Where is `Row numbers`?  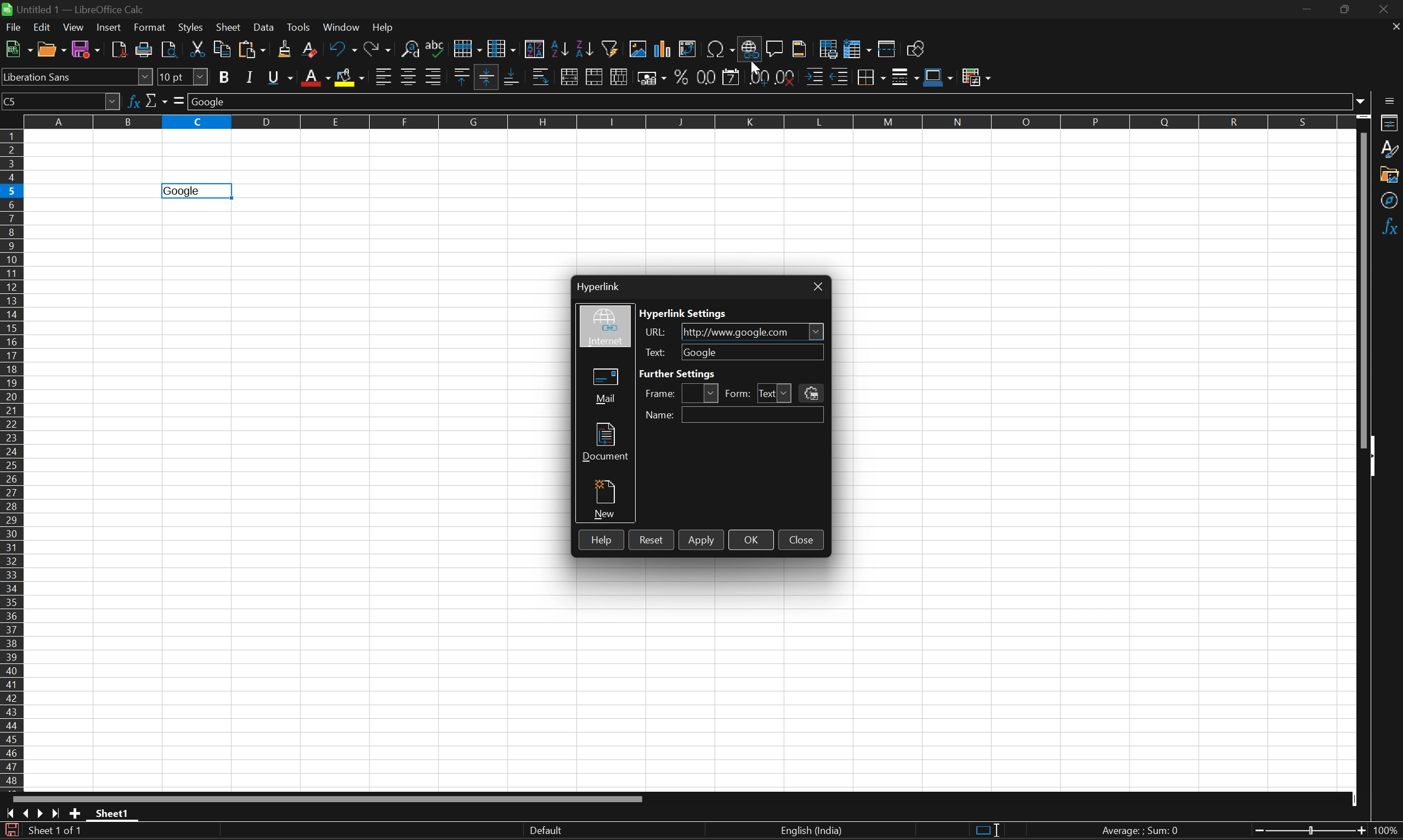 Row numbers is located at coordinates (13, 462).